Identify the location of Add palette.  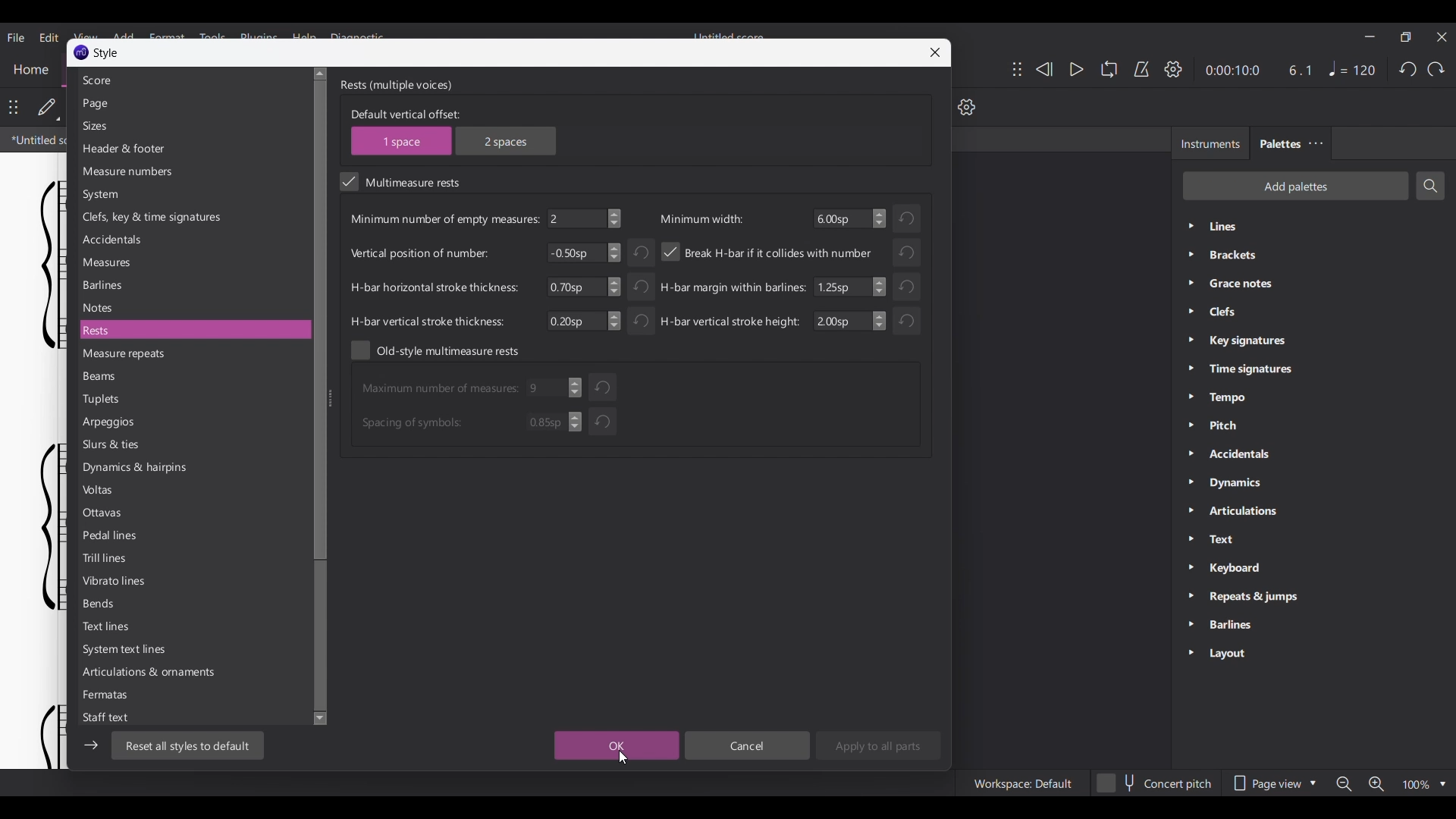
(1295, 187).